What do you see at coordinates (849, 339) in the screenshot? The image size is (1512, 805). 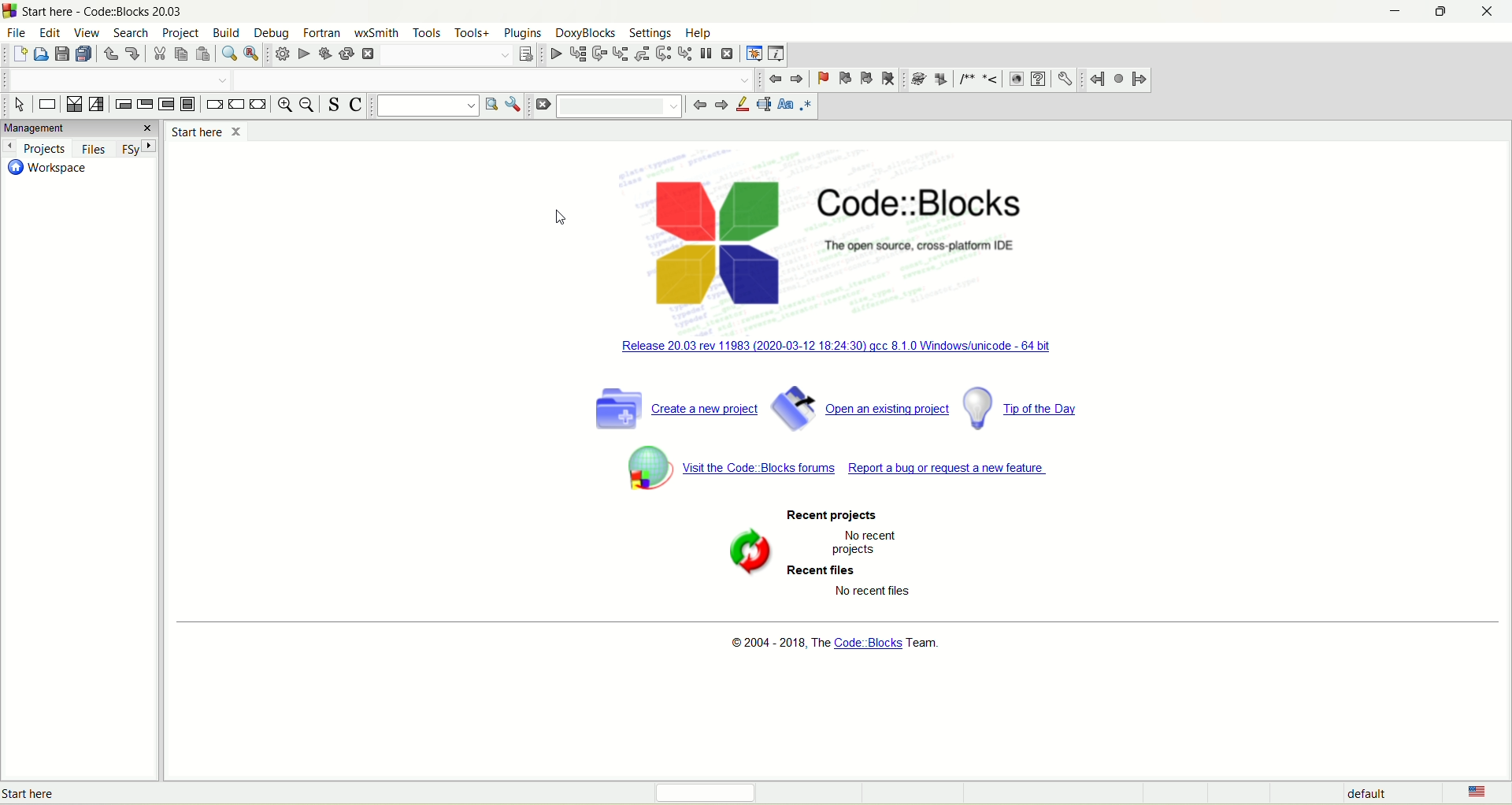 I see `windows unicode` at bounding box center [849, 339].